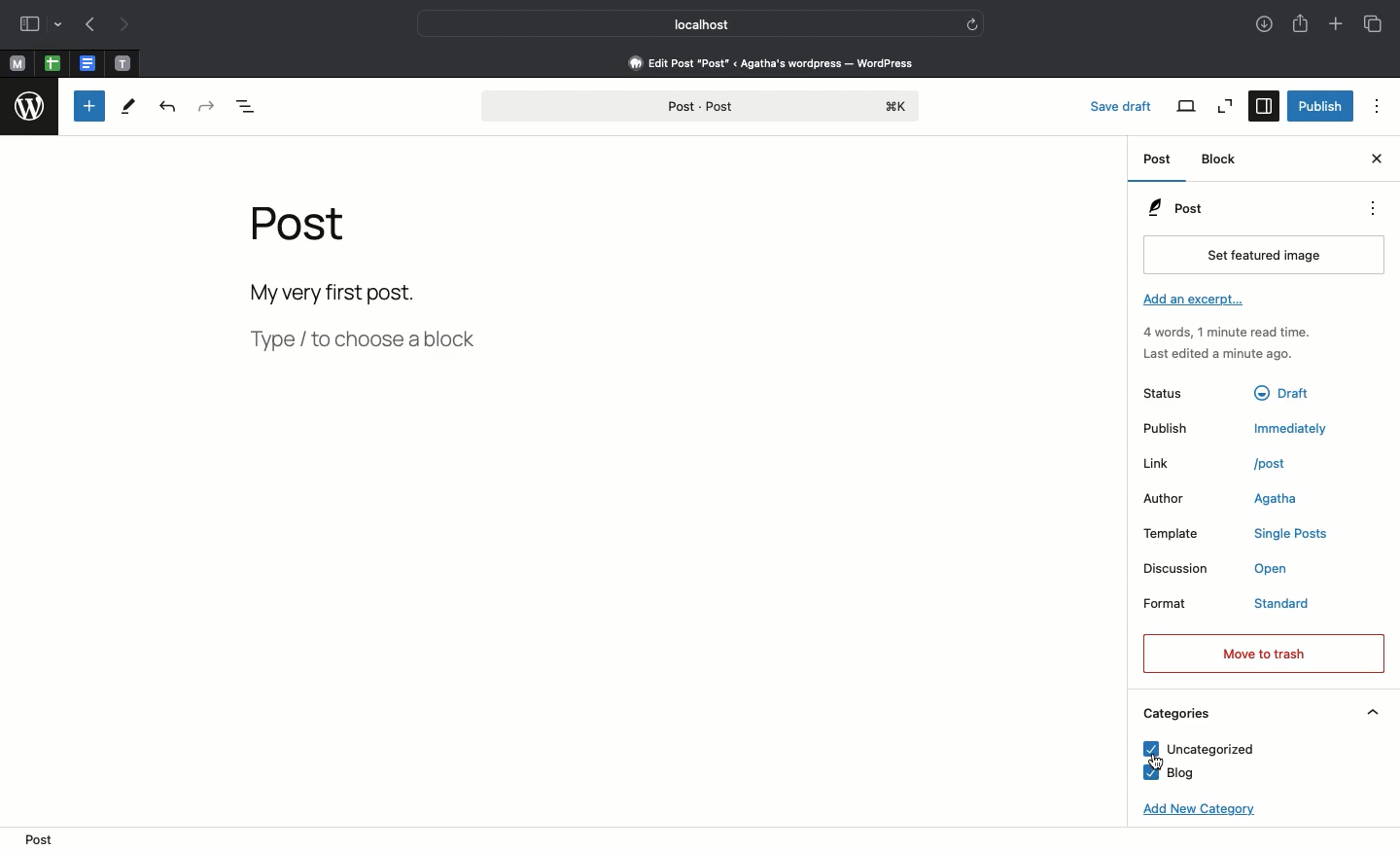 The image size is (1400, 850). What do you see at coordinates (1371, 208) in the screenshot?
I see `Options` at bounding box center [1371, 208].